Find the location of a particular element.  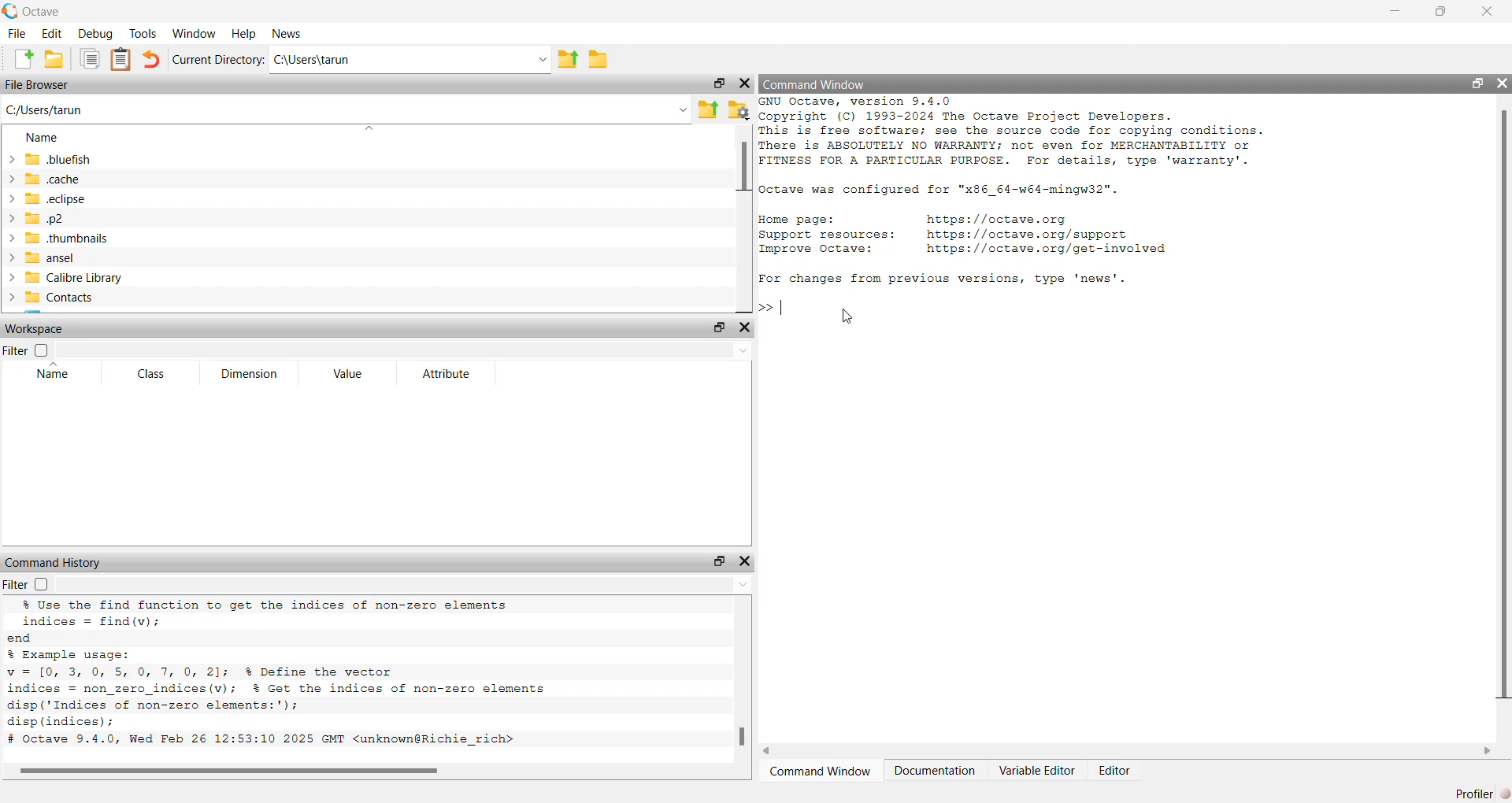

create new is located at coordinates (20, 61).